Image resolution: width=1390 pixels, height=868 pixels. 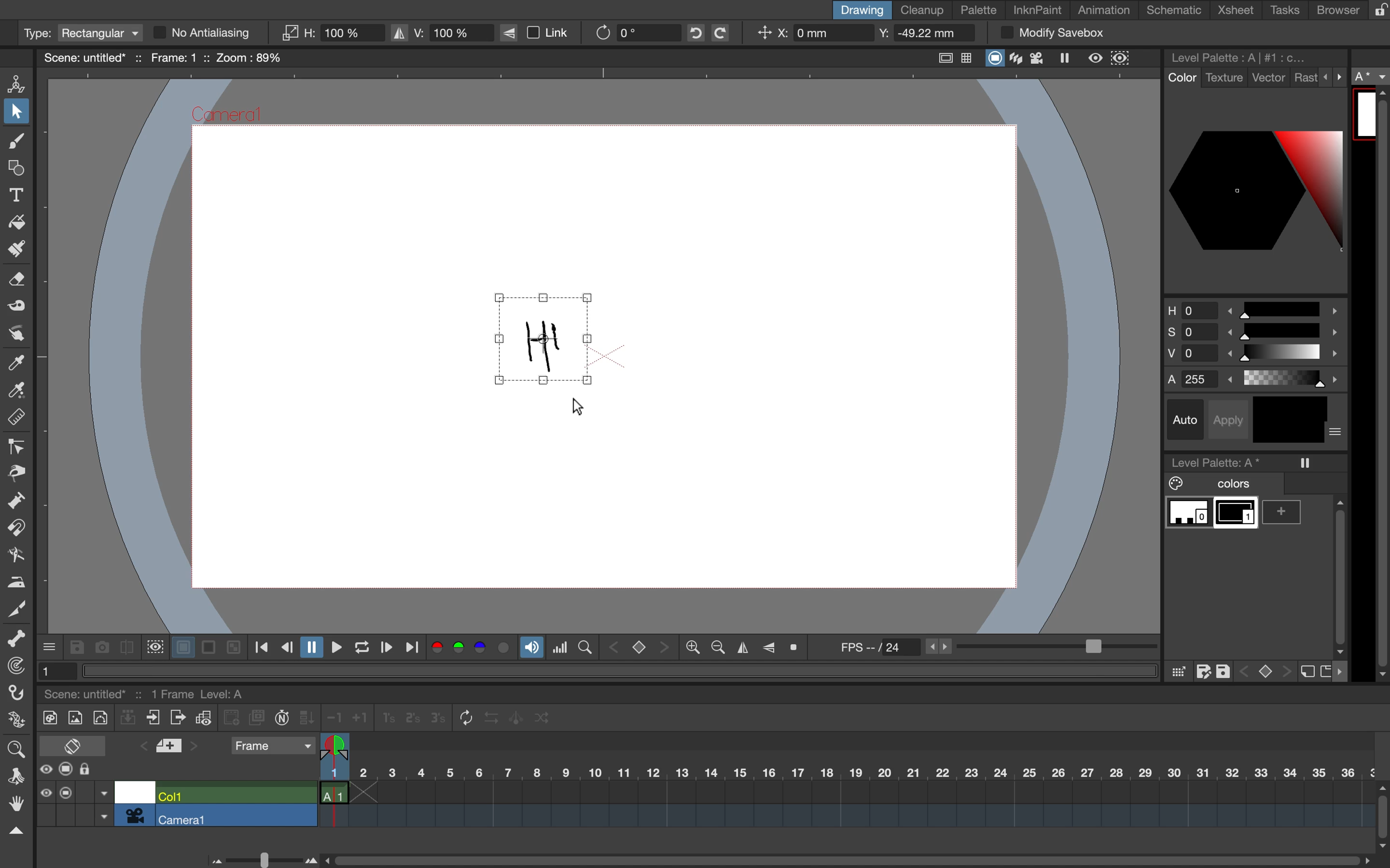 I want to click on new page, so click(x=1325, y=670).